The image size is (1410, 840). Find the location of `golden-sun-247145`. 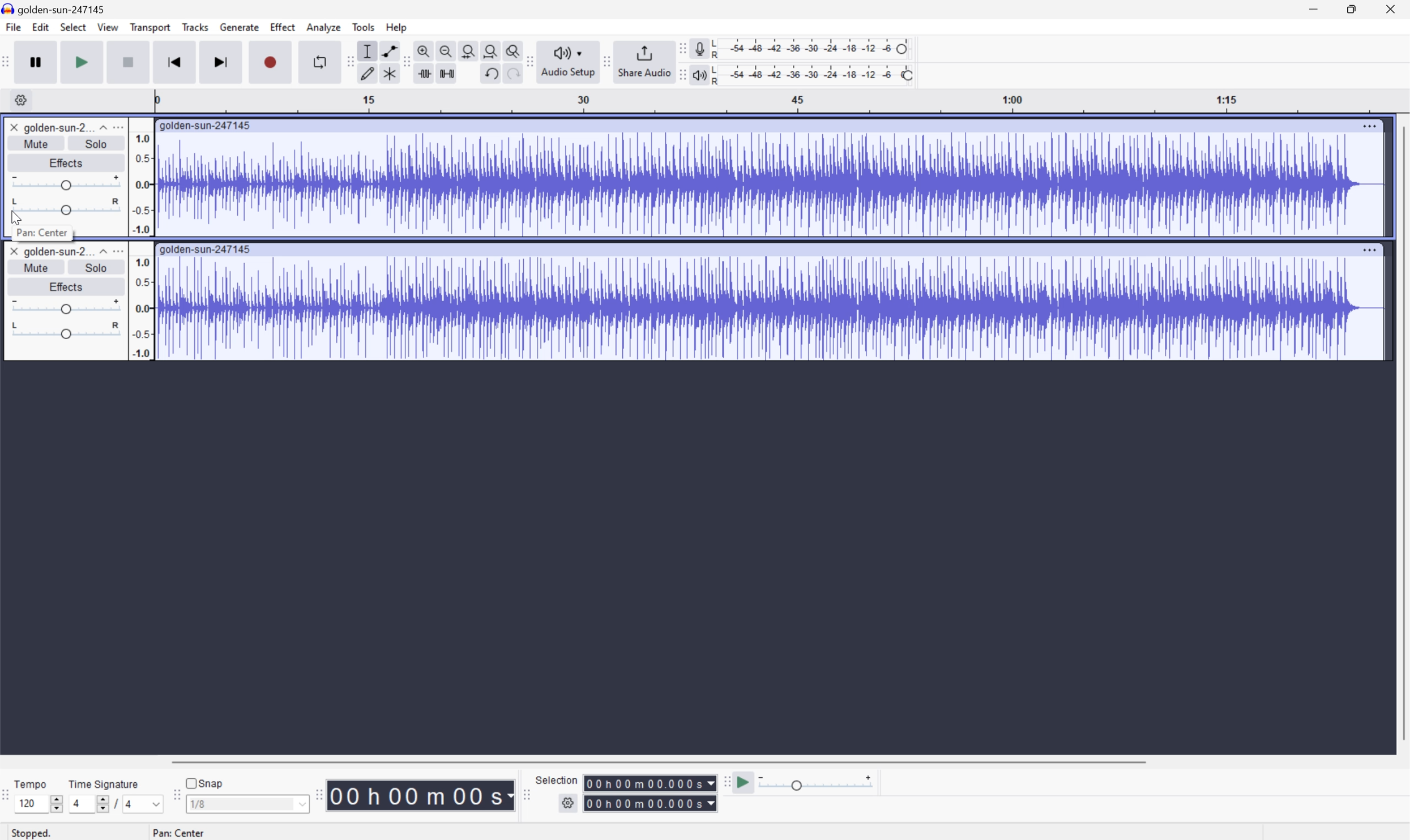

golden-sun-247145 is located at coordinates (209, 125).